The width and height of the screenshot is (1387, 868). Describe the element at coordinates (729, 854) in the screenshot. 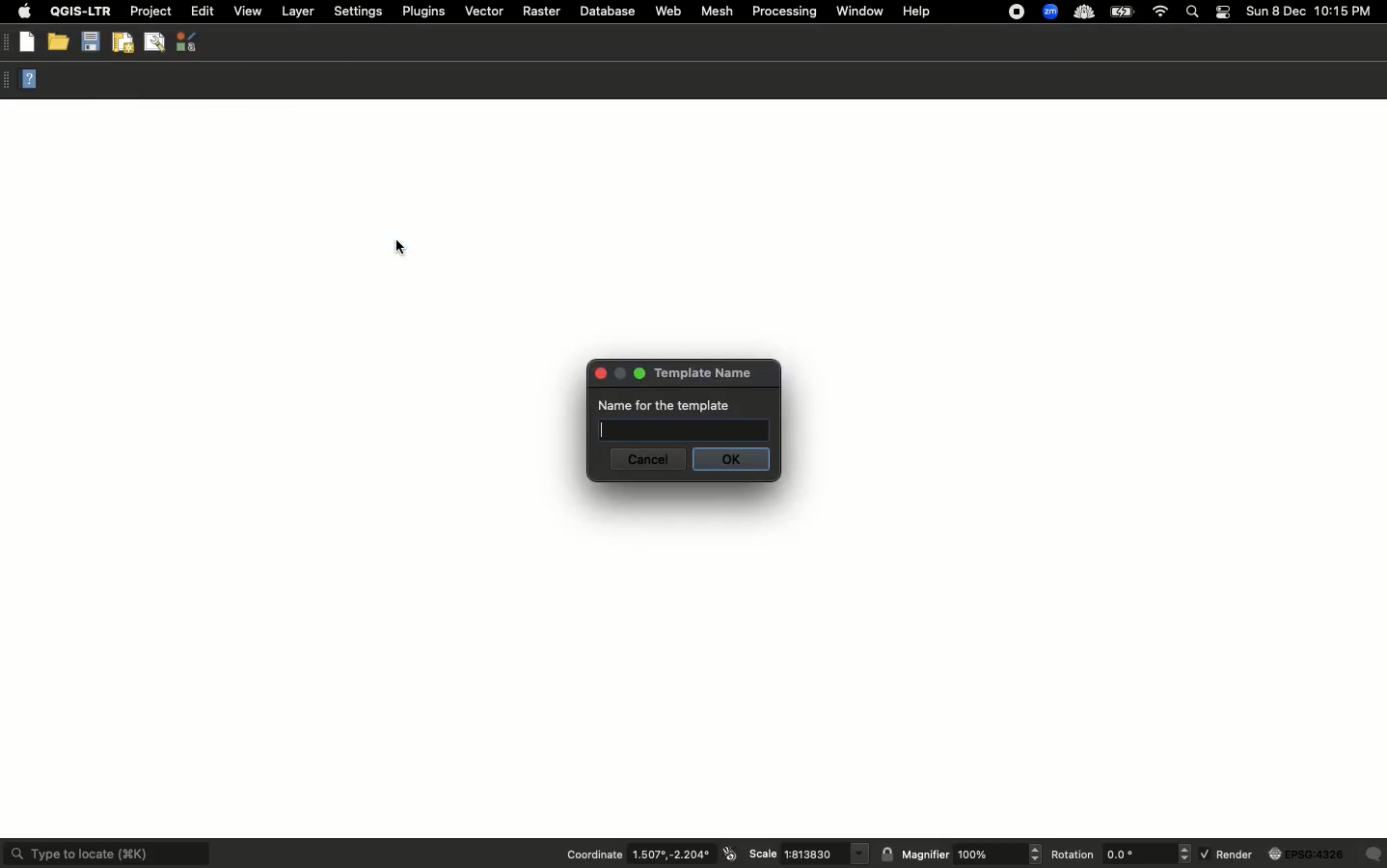

I see `icon` at that location.